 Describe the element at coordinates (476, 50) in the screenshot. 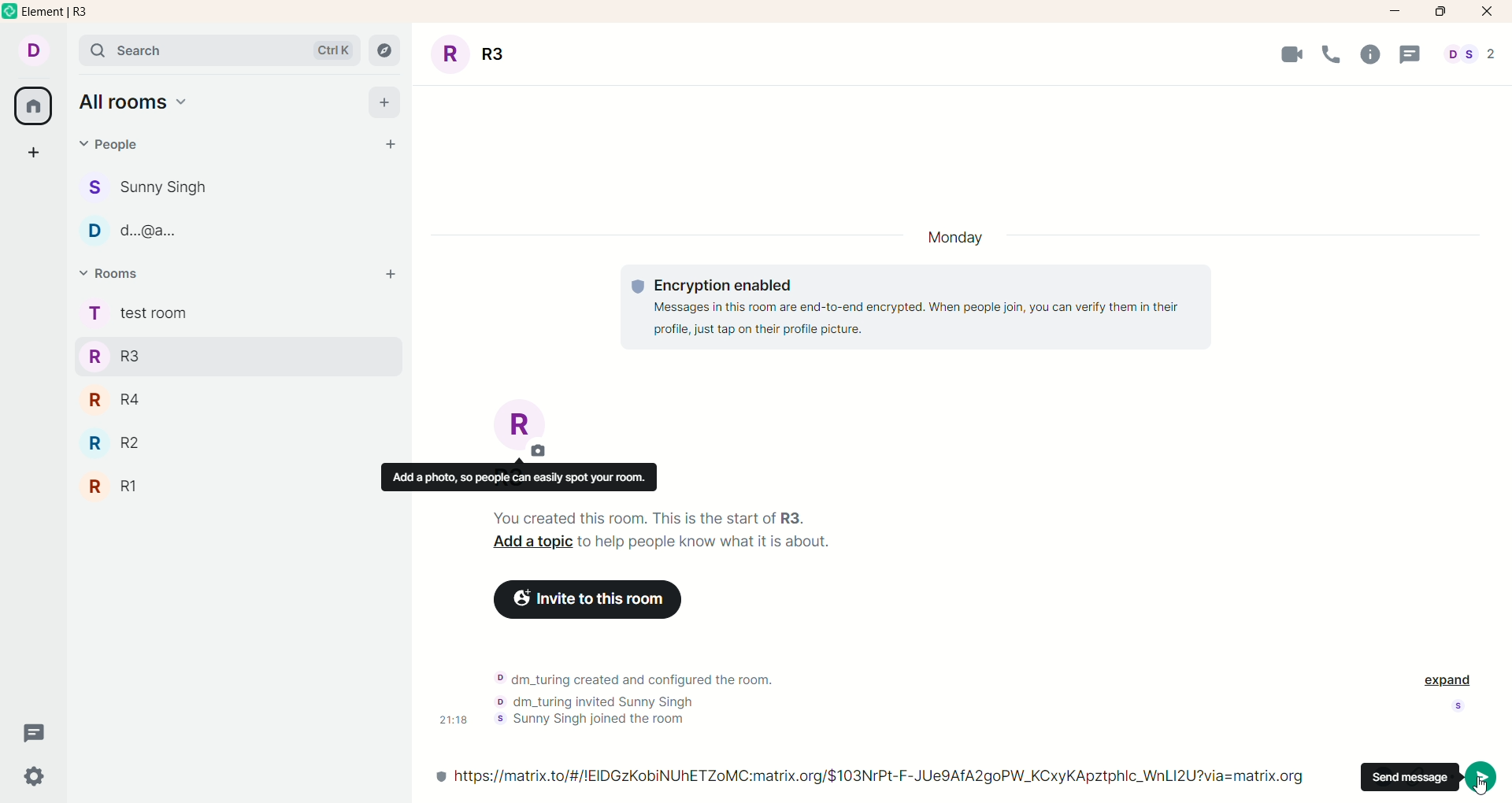

I see `room title` at that location.